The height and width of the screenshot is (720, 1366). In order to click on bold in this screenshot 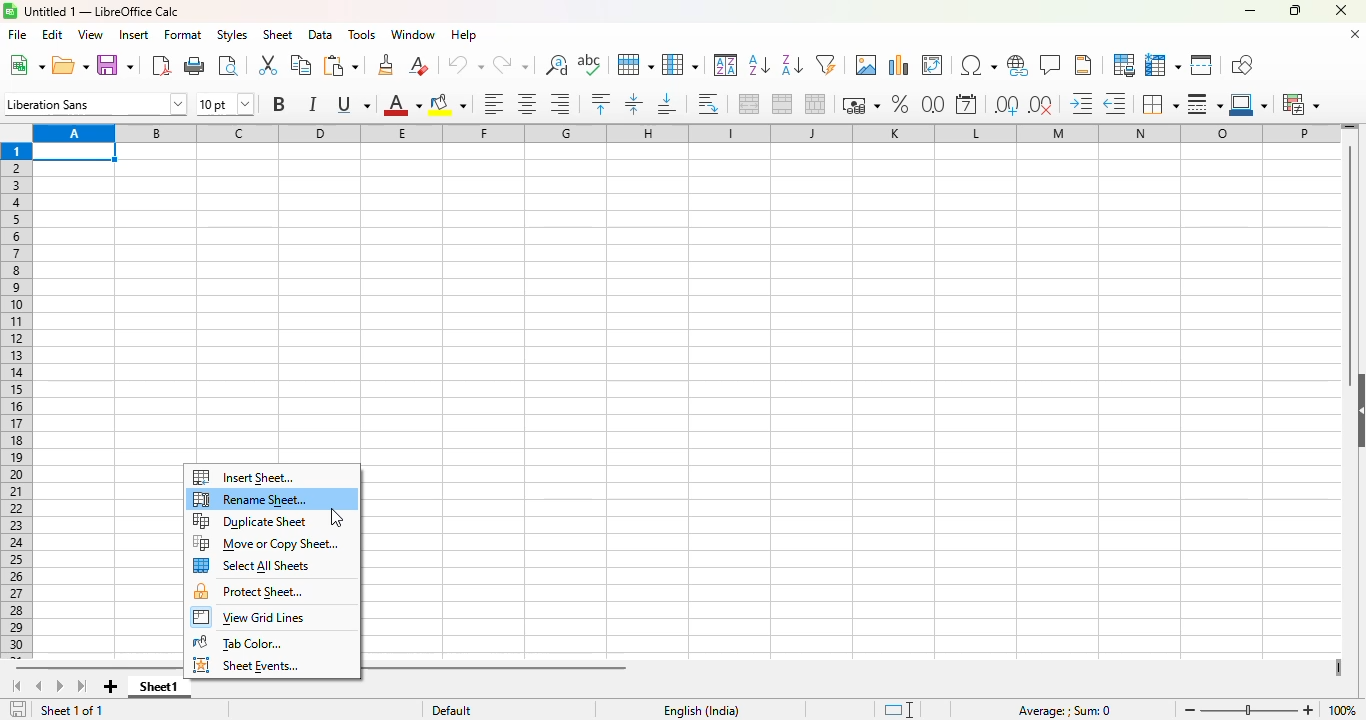, I will do `click(279, 103)`.